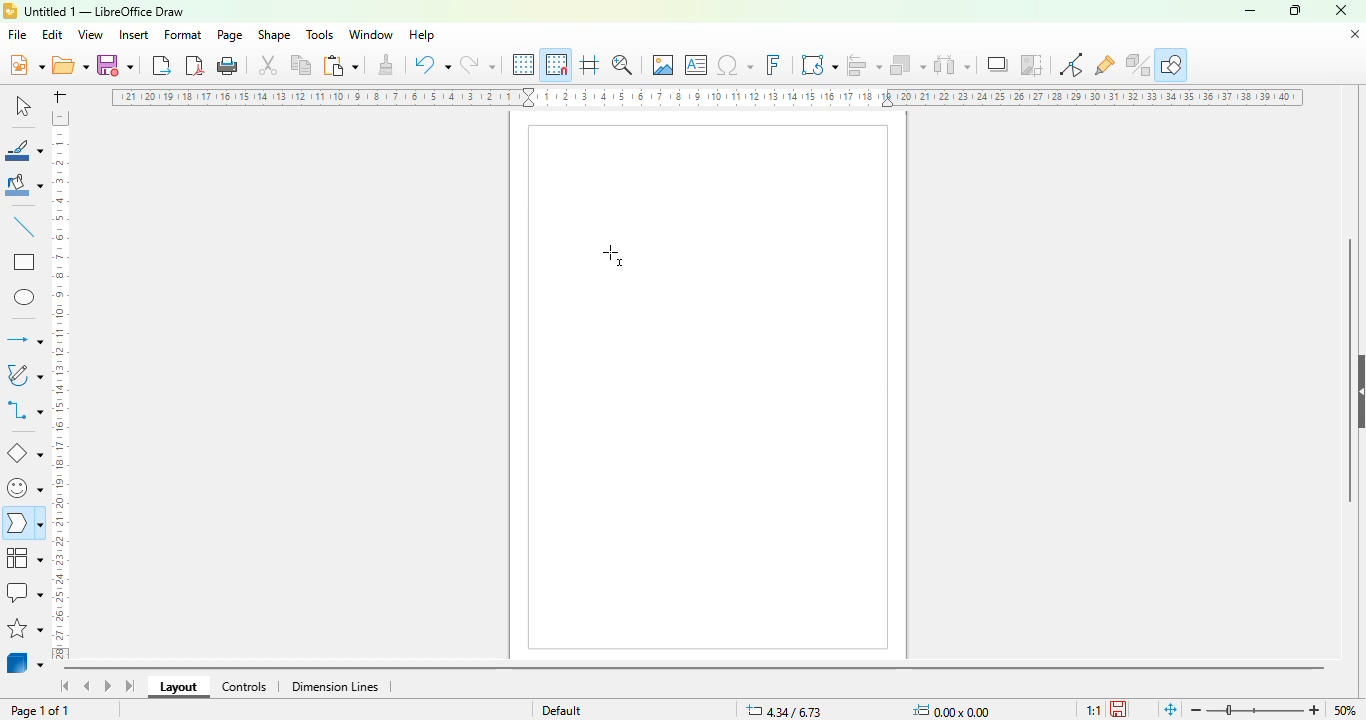  What do you see at coordinates (819, 64) in the screenshot?
I see `transformations` at bounding box center [819, 64].